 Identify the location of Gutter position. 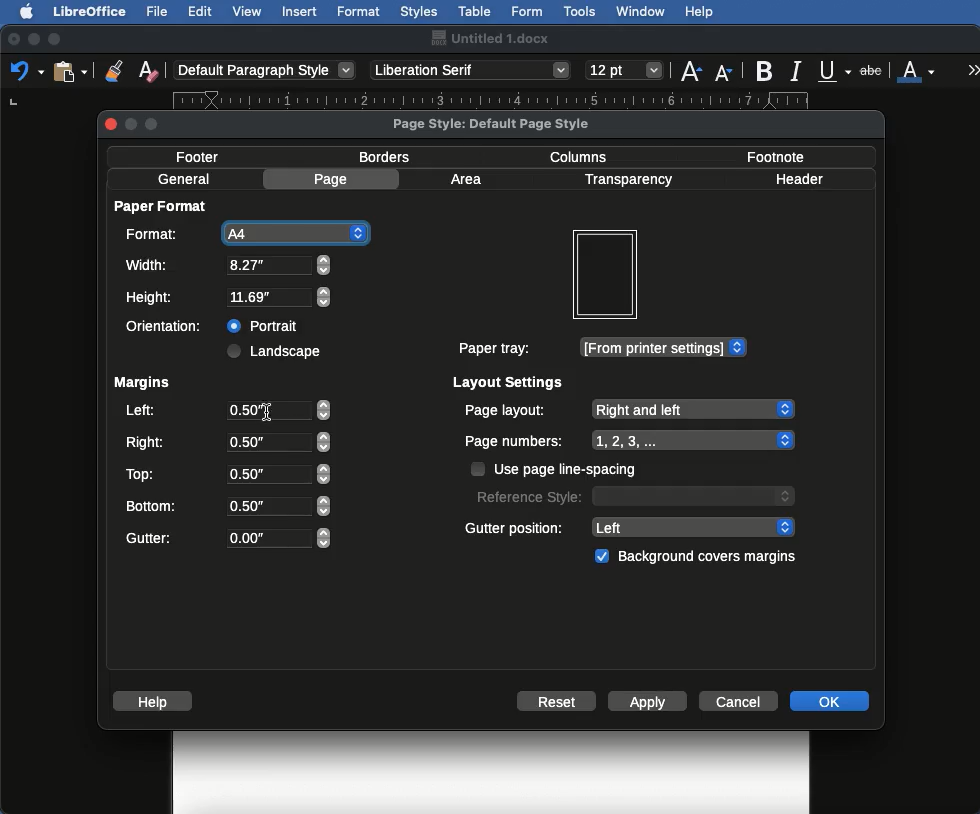
(631, 526).